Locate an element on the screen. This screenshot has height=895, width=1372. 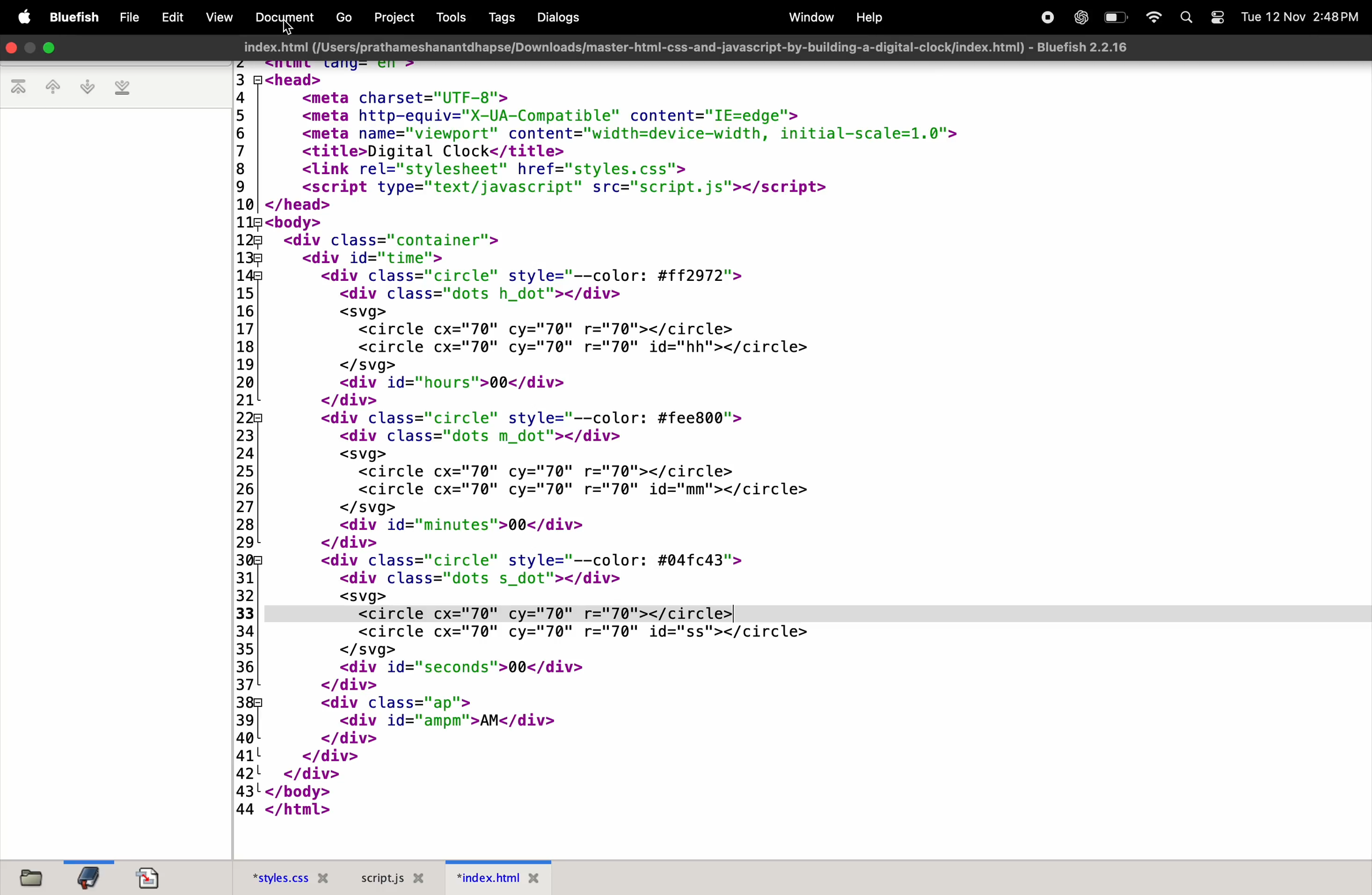
script.js is located at coordinates (397, 877).